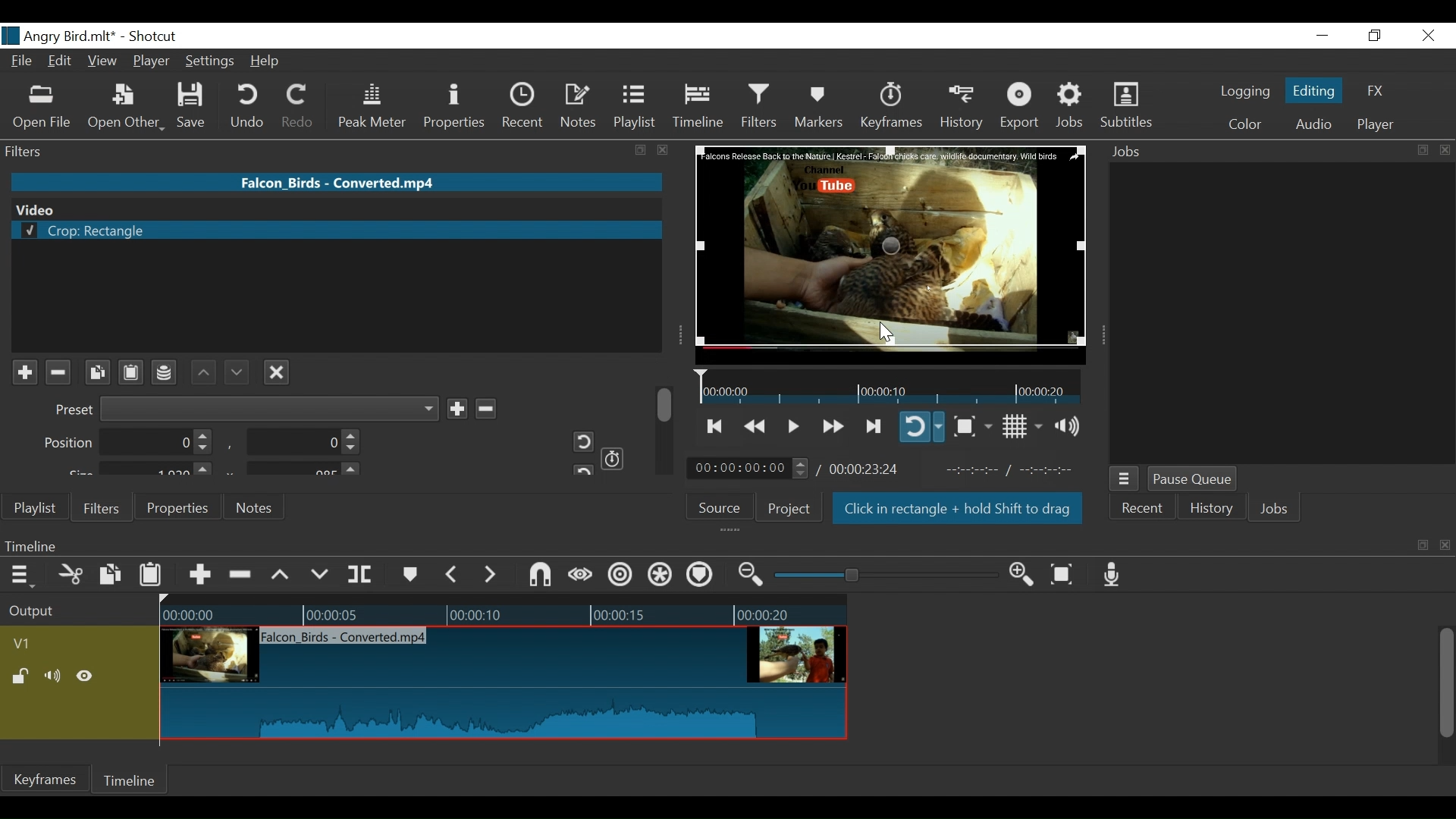 The width and height of the screenshot is (1456, 819). Describe the element at coordinates (791, 428) in the screenshot. I see `Toggle play or pause (Space)` at that location.